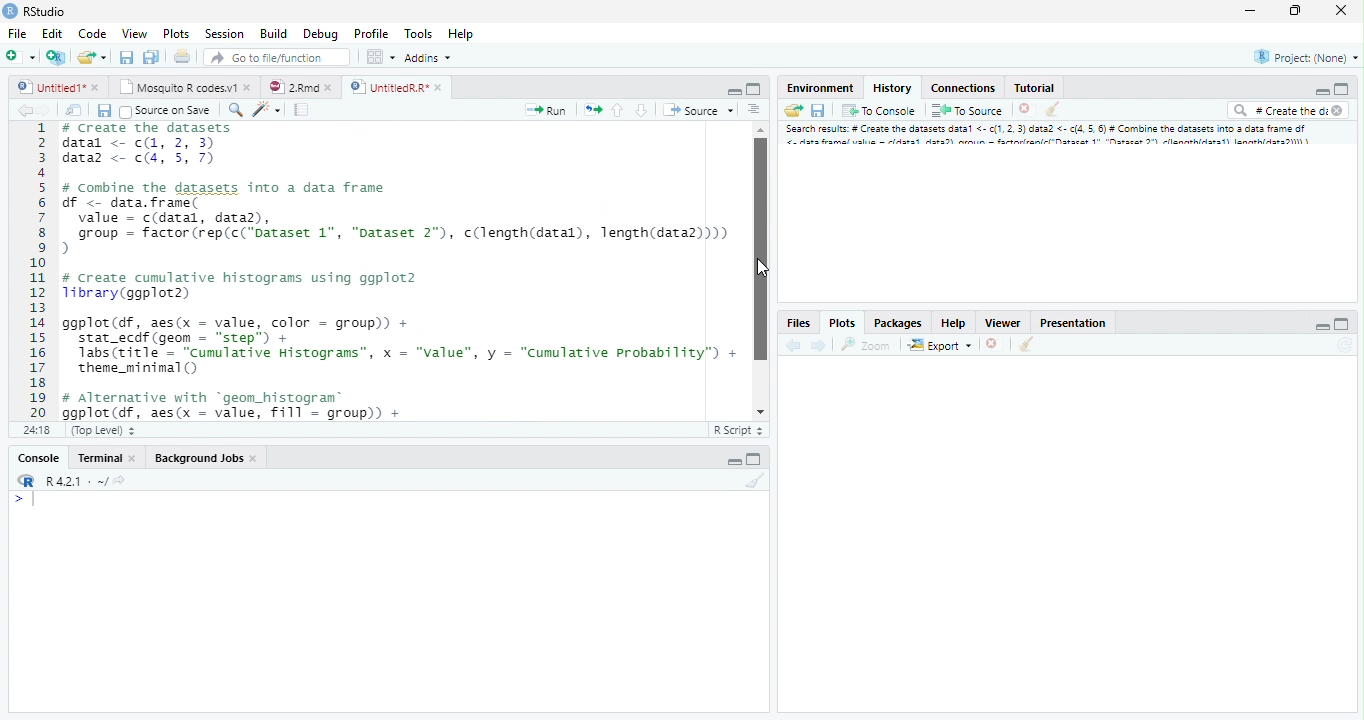 The width and height of the screenshot is (1364, 720). I want to click on Go to file/function, so click(275, 58).